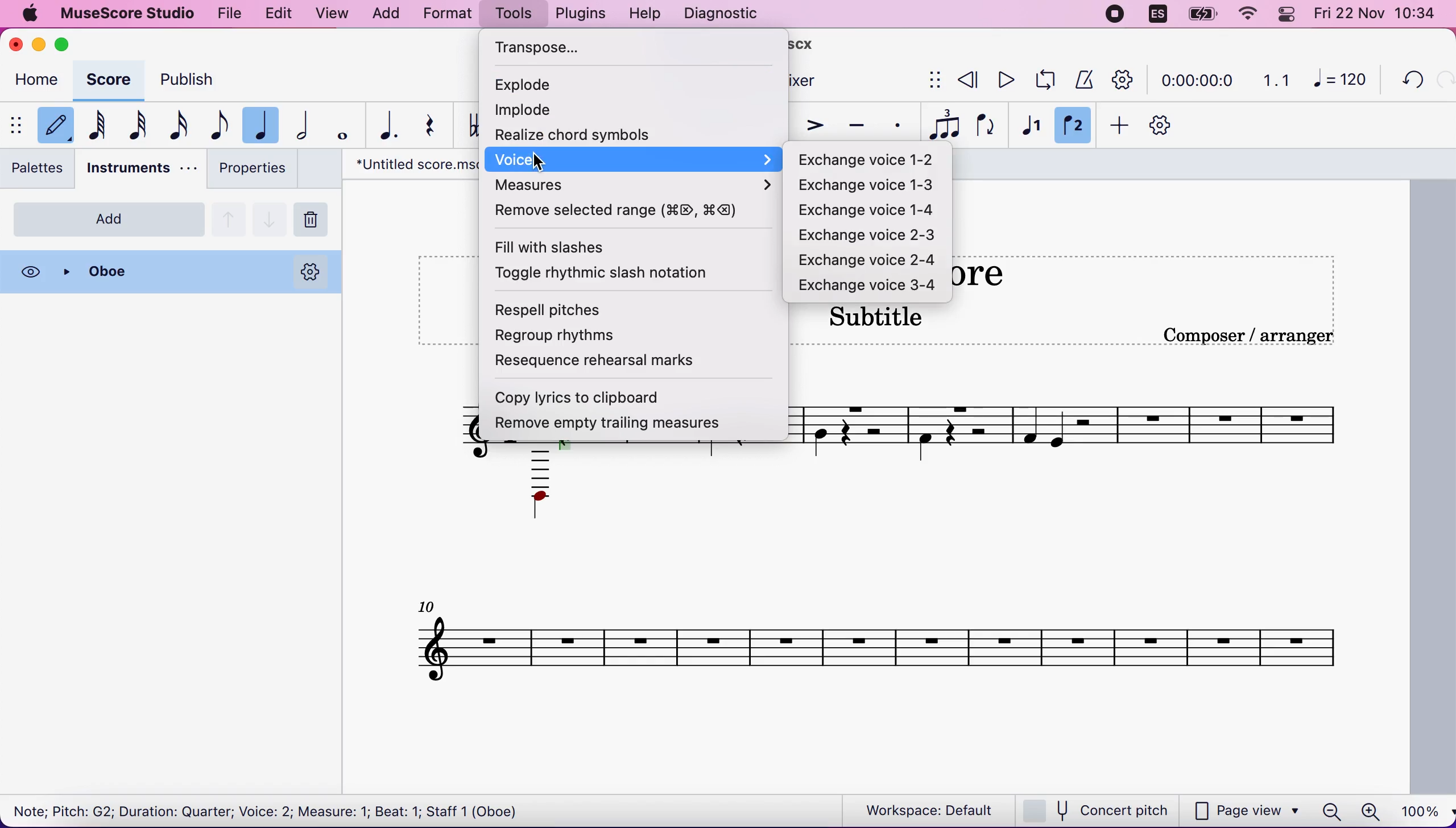 The height and width of the screenshot is (828, 1456). I want to click on view, so click(336, 16).